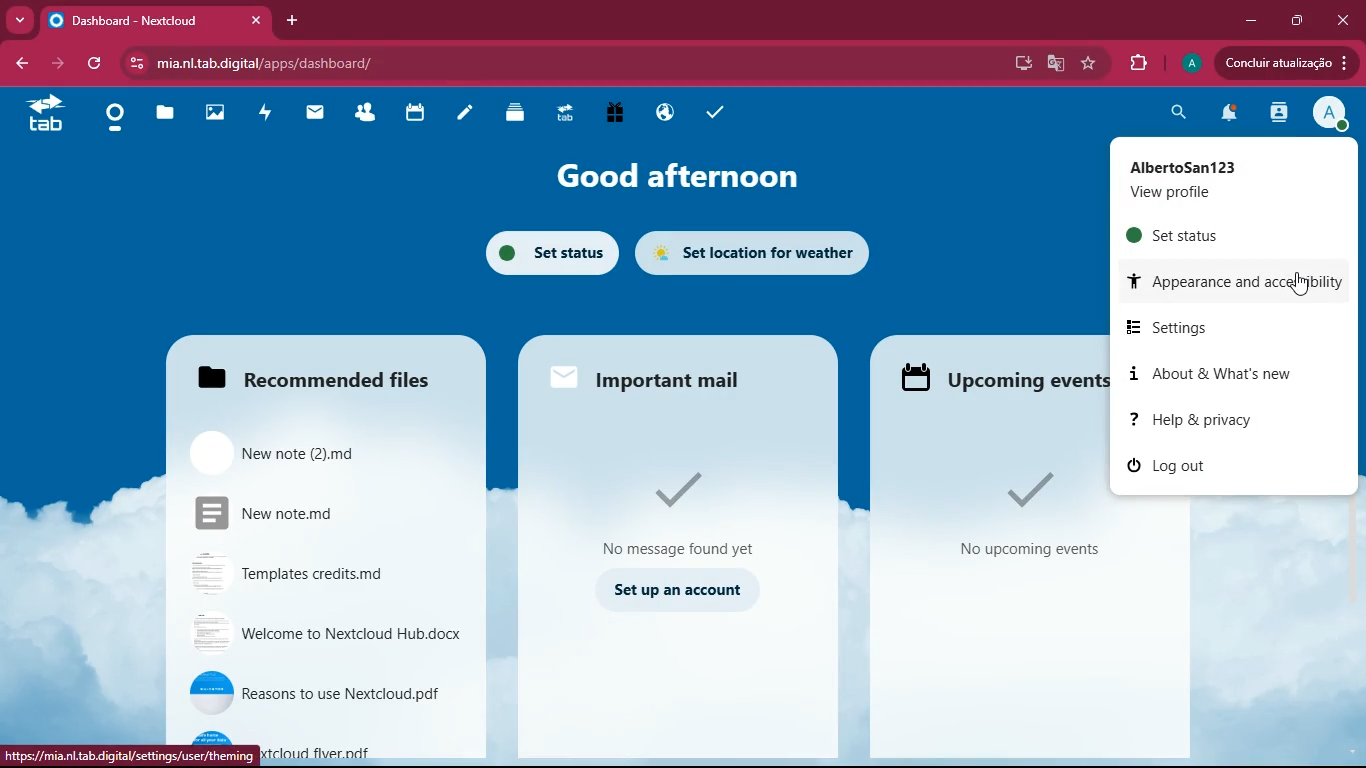 This screenshot has height=768, width=1366. What do you see at coordinates (672, 171) in the screenshot?
I see `good afternoon ` at bounding box center [672, 171].